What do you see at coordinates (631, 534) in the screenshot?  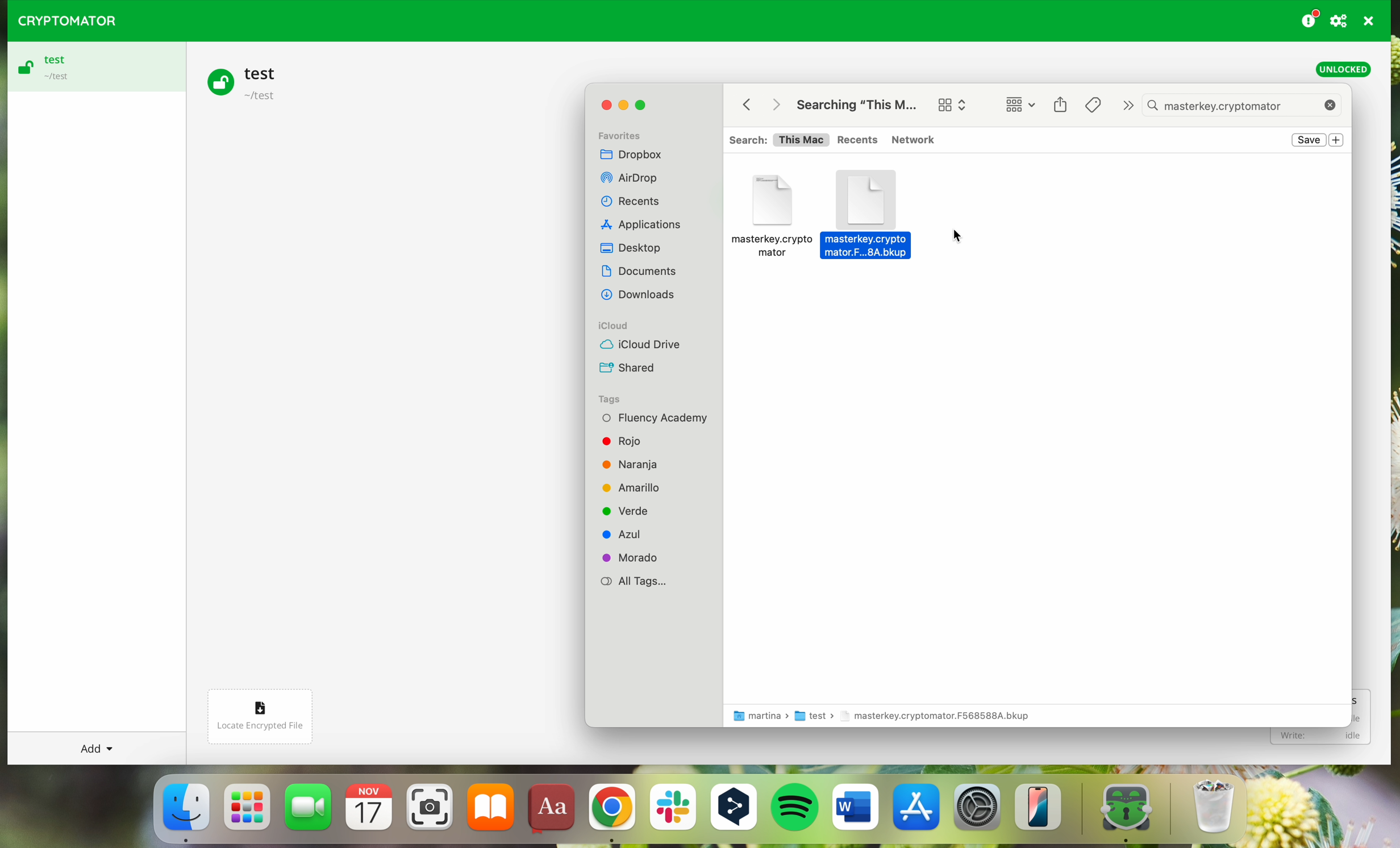 I see `Azul` at bounding box center [631, 534].